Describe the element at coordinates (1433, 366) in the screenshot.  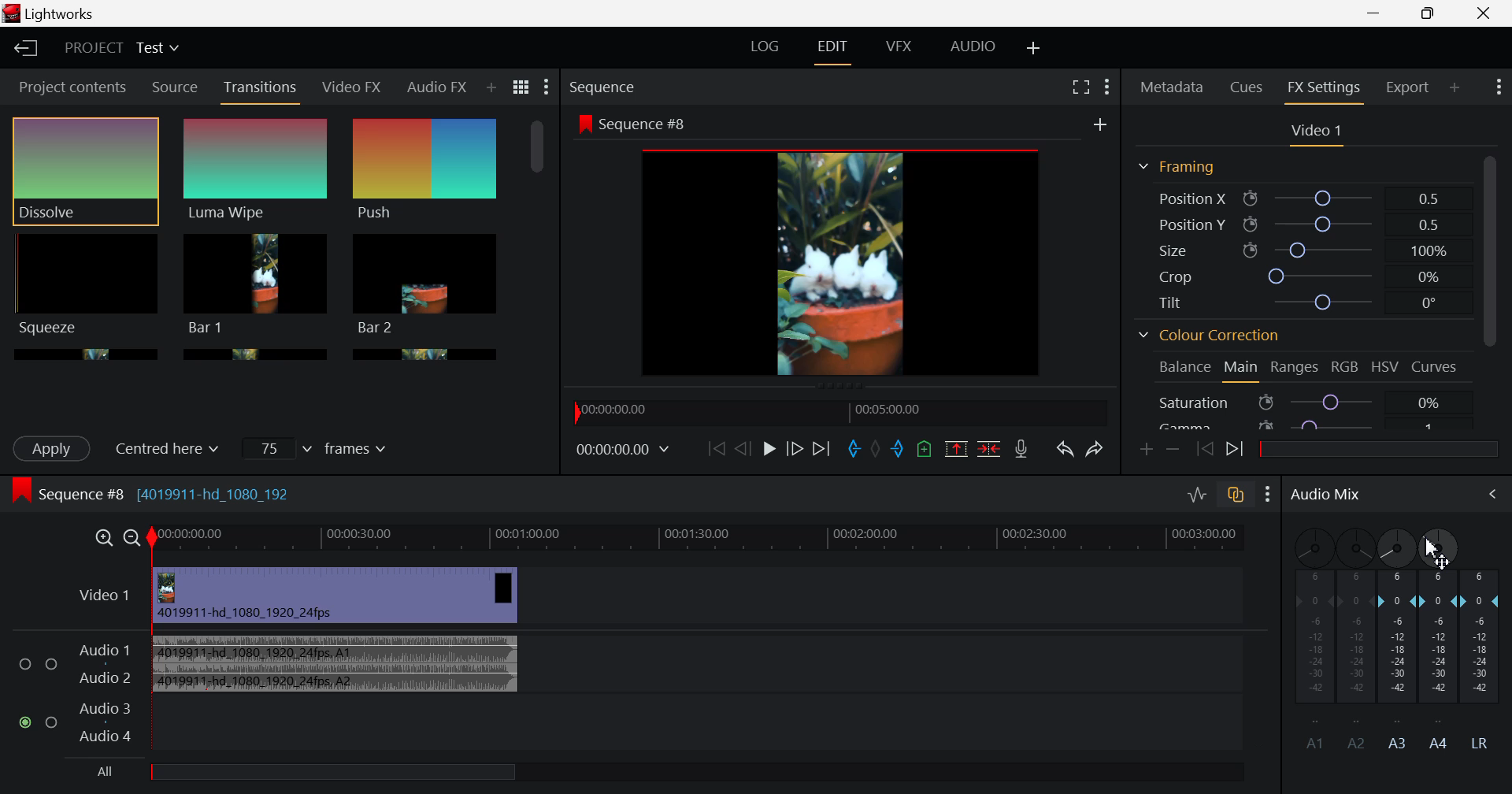
I see `Curves` at that location.